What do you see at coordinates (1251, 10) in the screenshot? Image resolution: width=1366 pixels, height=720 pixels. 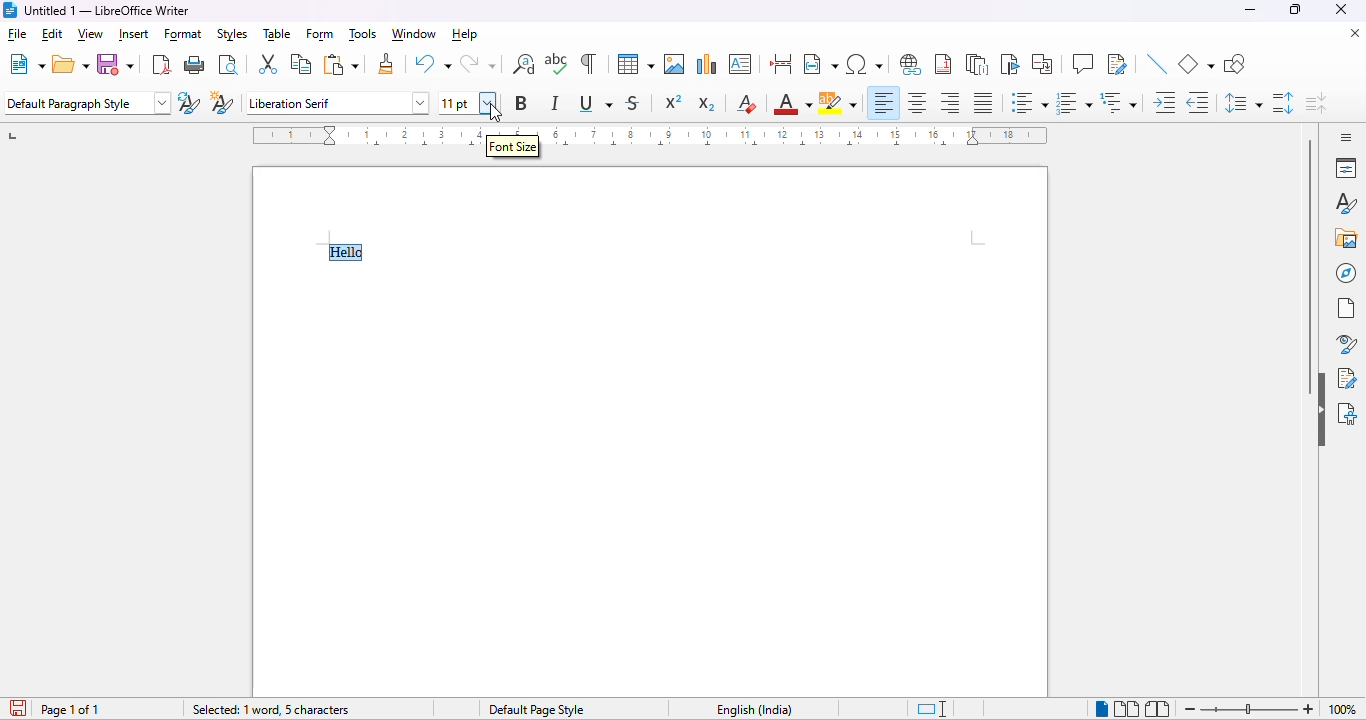 I see `minimize` at bounding box center [1251, 10].